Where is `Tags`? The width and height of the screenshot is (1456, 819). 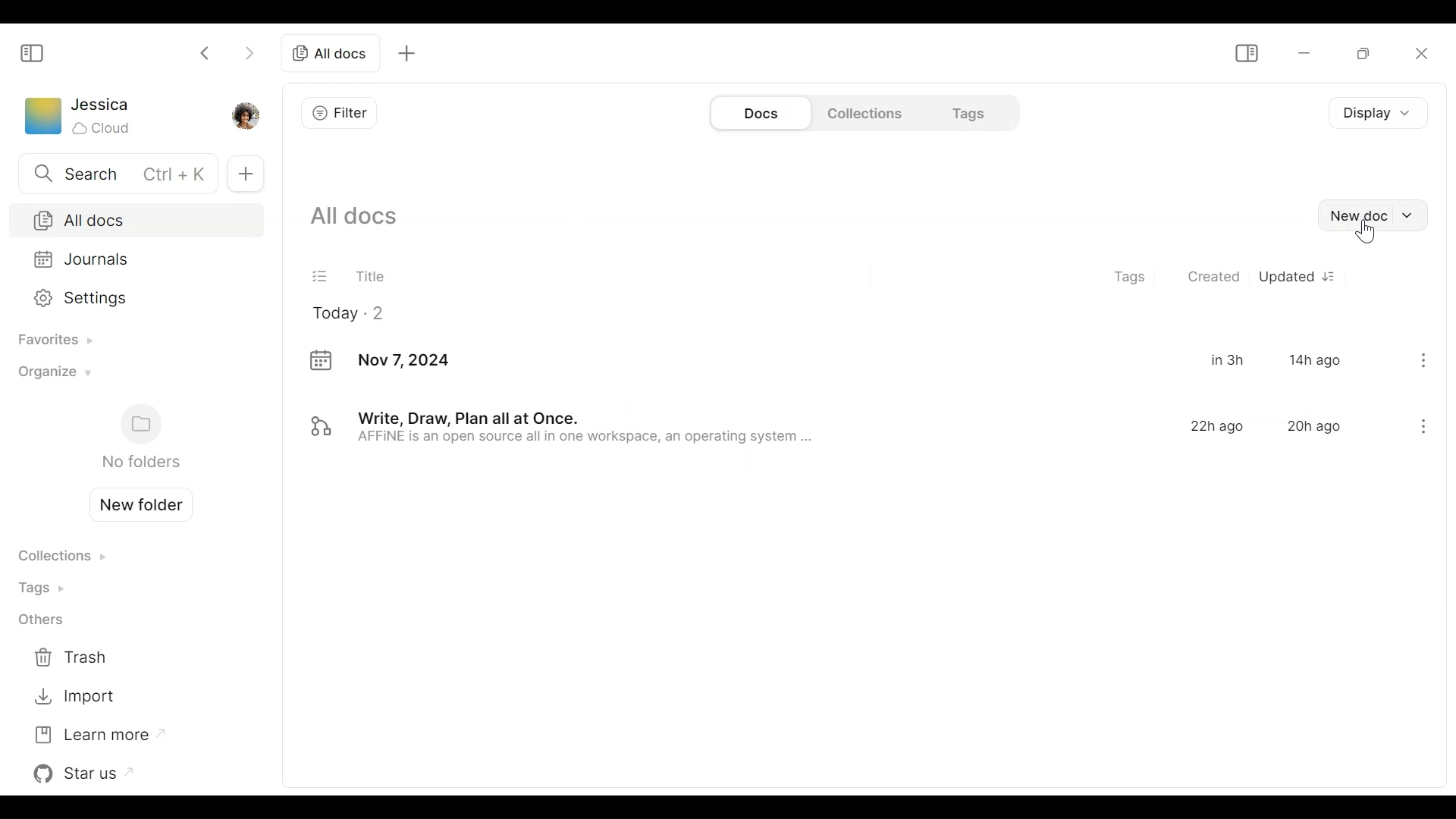
Tags is located at coordinates (1141, 277).